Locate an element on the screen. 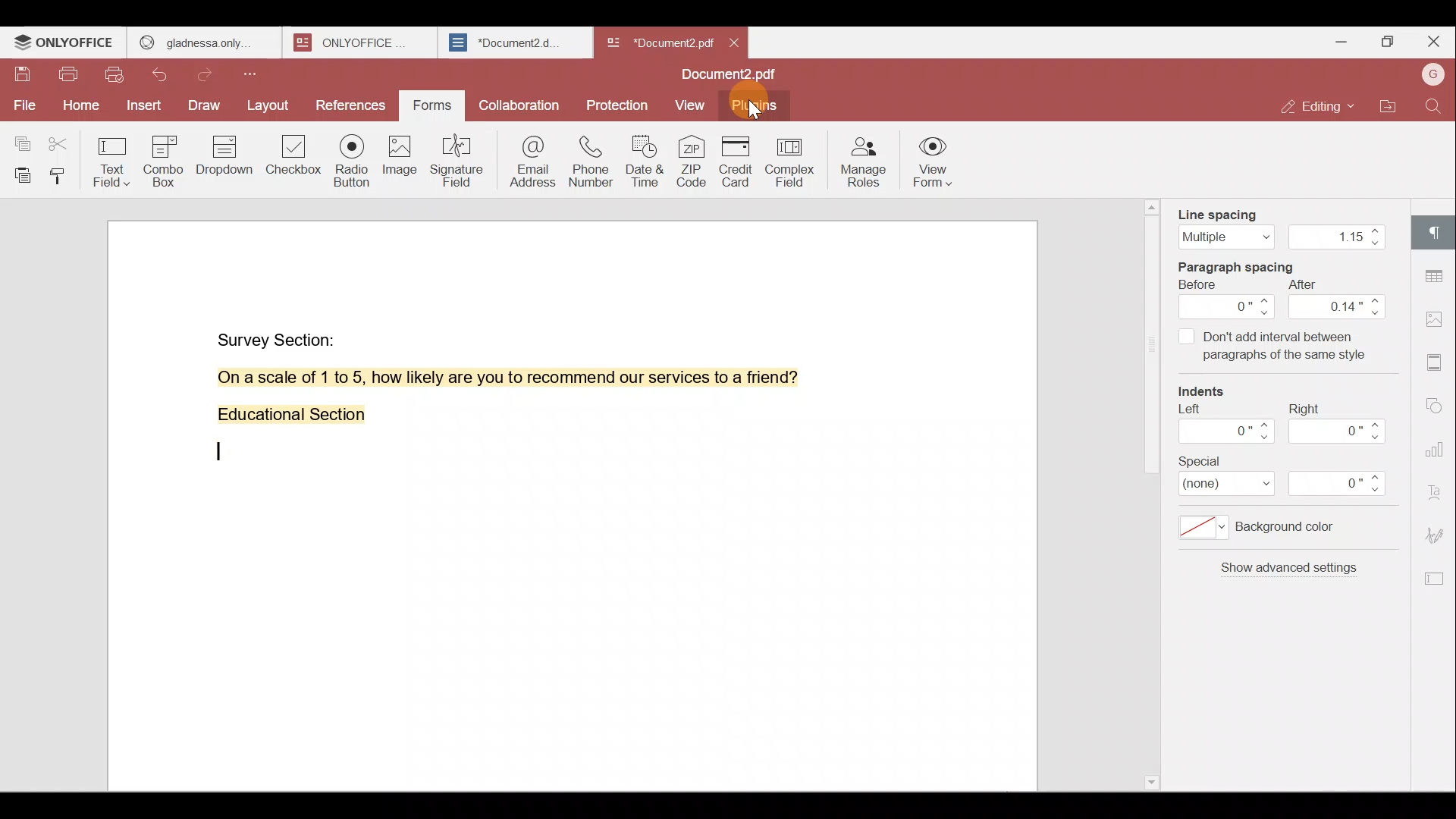 Image resolution: width=1456 pixels, height=819 pixels. Shapes settings is located at coordinates (1436, 402).